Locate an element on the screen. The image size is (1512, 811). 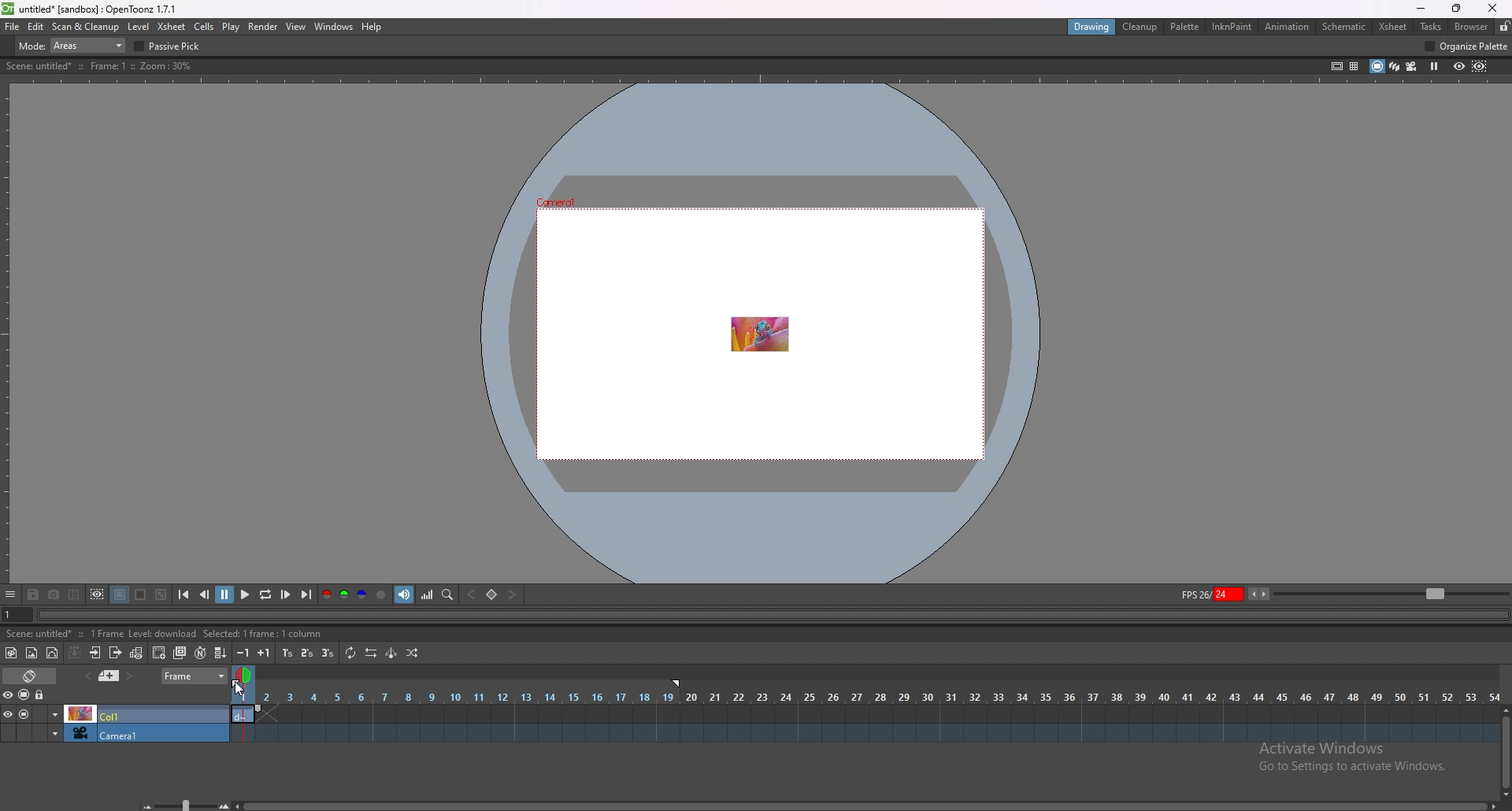
field guide is located at coordinates (1354, 67).